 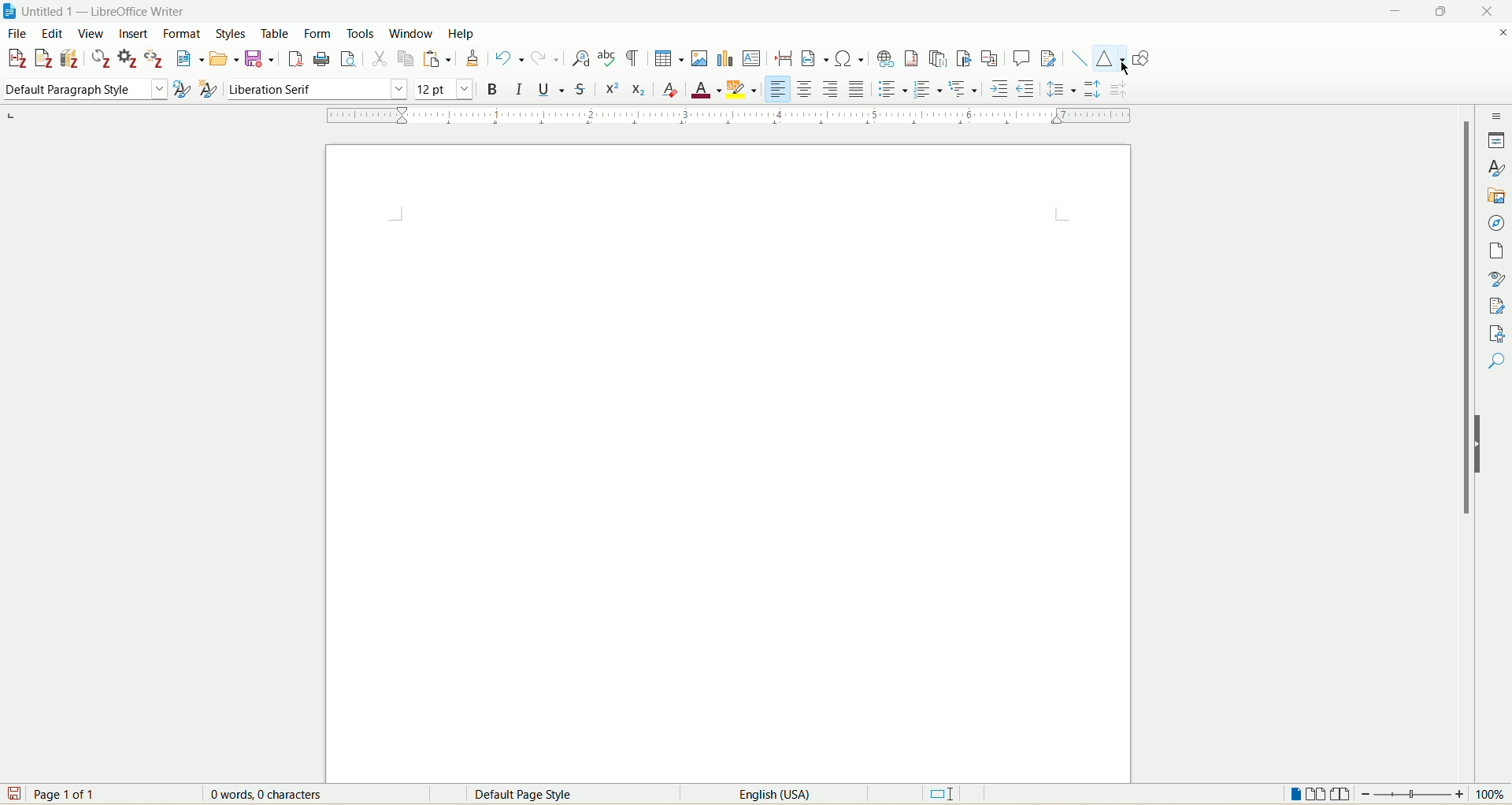 I want to click on new, so click(x=190, y=58).